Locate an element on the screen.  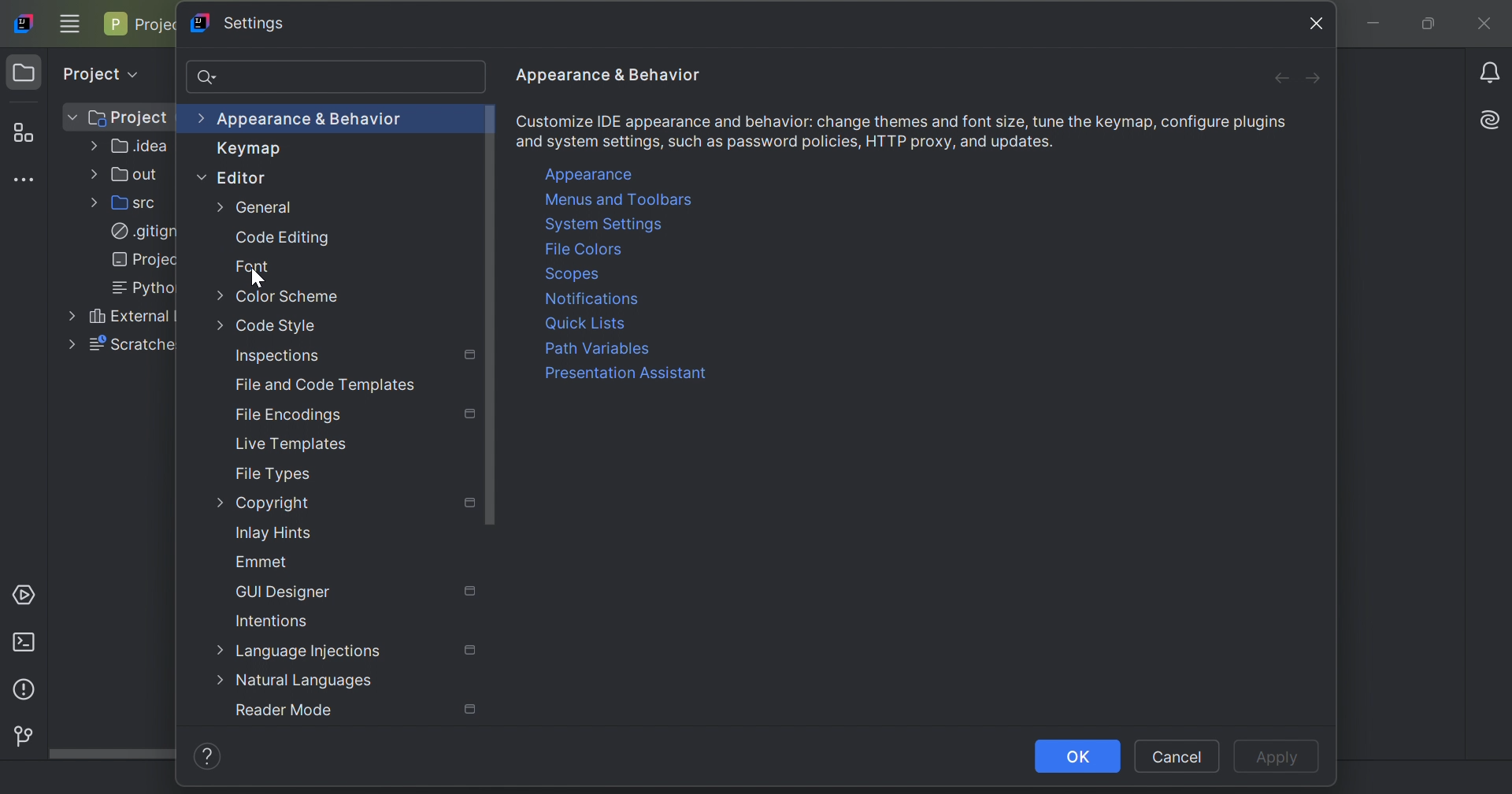
Settings marked with this icon are only applied to the current project. Non-marked settings are applied to all projects. is located at coordinates (472, 651).